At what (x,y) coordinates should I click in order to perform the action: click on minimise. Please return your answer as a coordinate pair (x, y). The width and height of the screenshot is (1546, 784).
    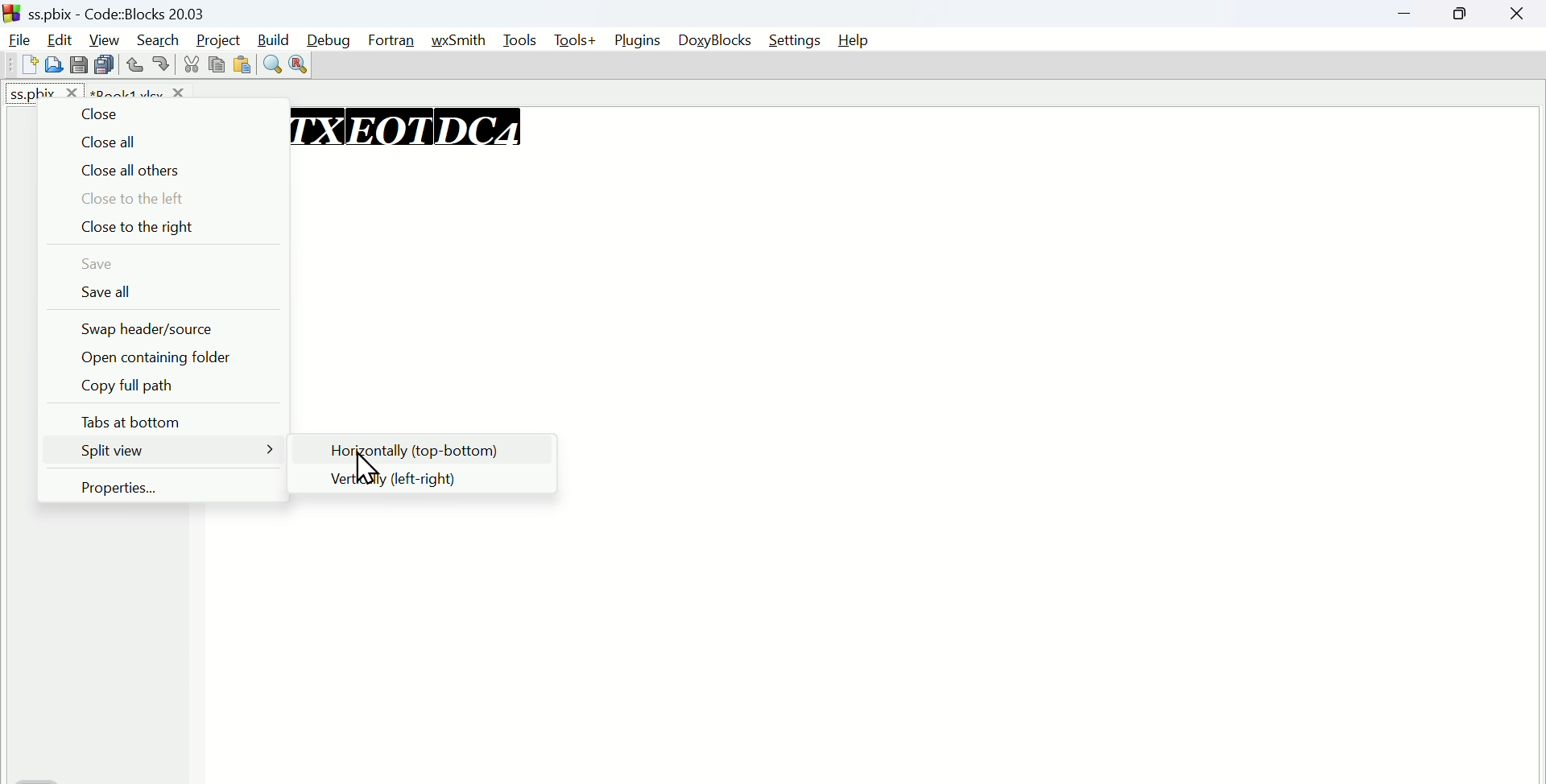
    Looking at the image, I should click on (1412, 15).